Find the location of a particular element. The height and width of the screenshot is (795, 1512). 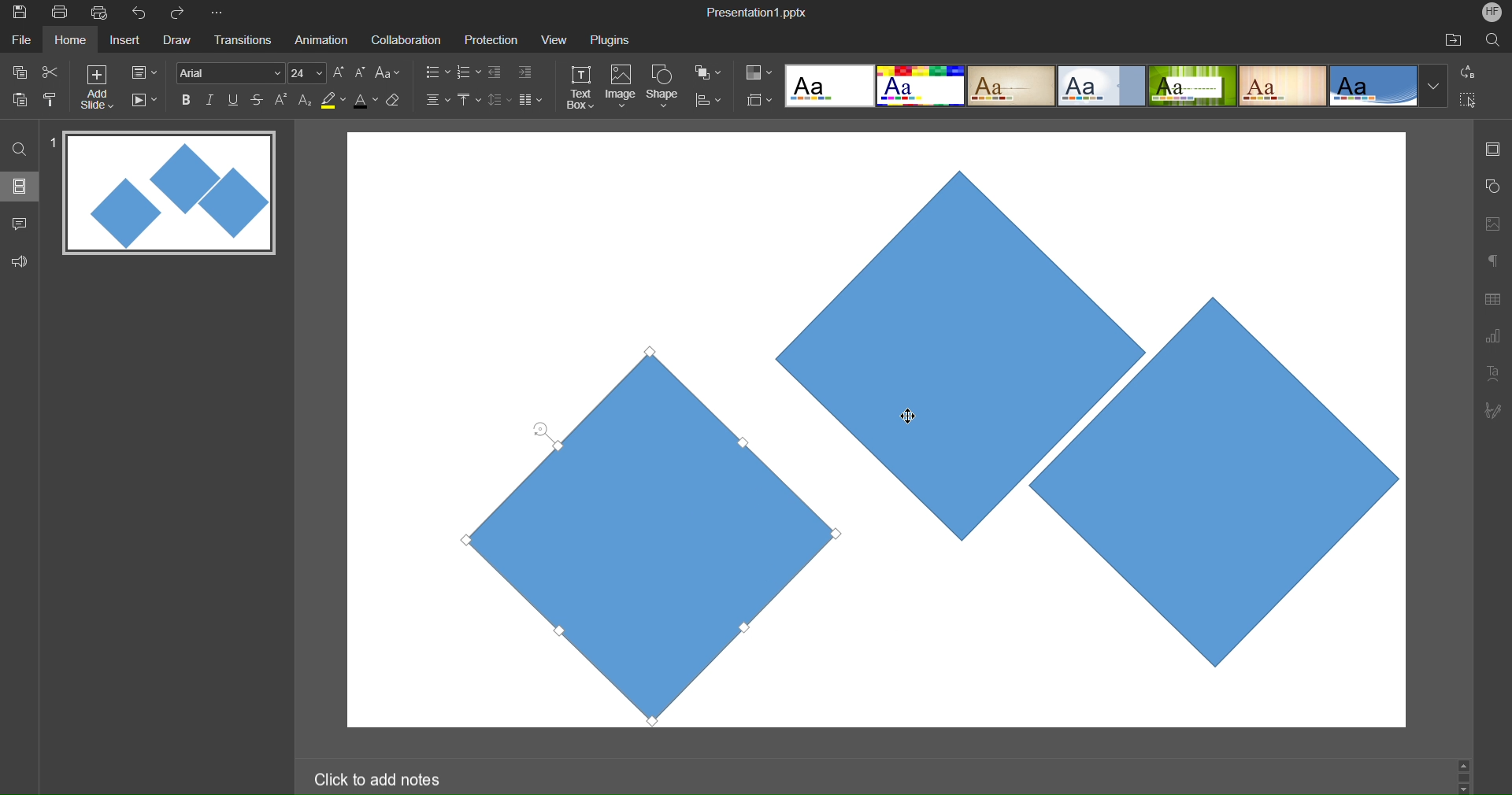

Animation is located at coordinates (320, 39).